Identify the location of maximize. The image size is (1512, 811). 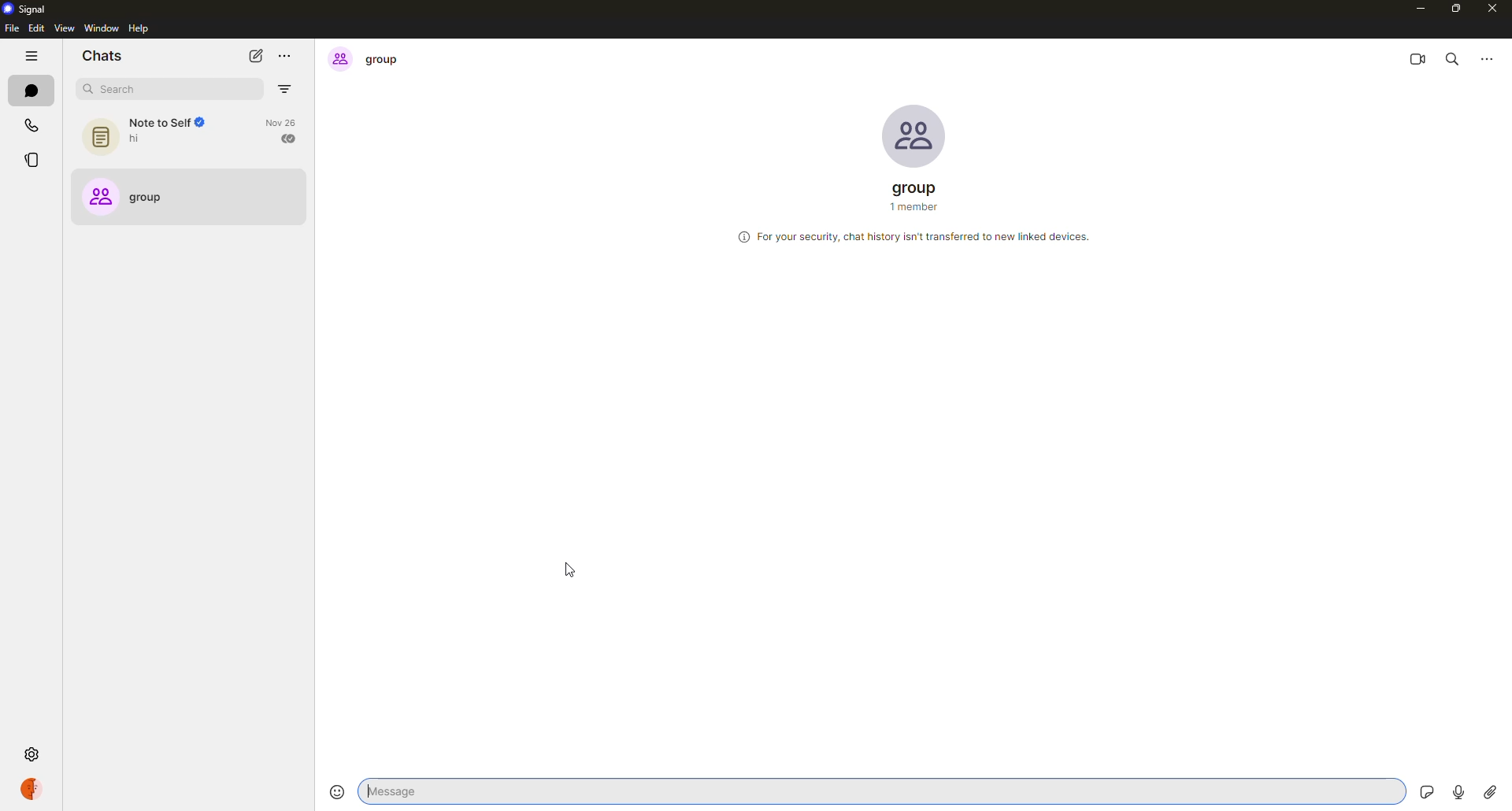
(1456, 9).